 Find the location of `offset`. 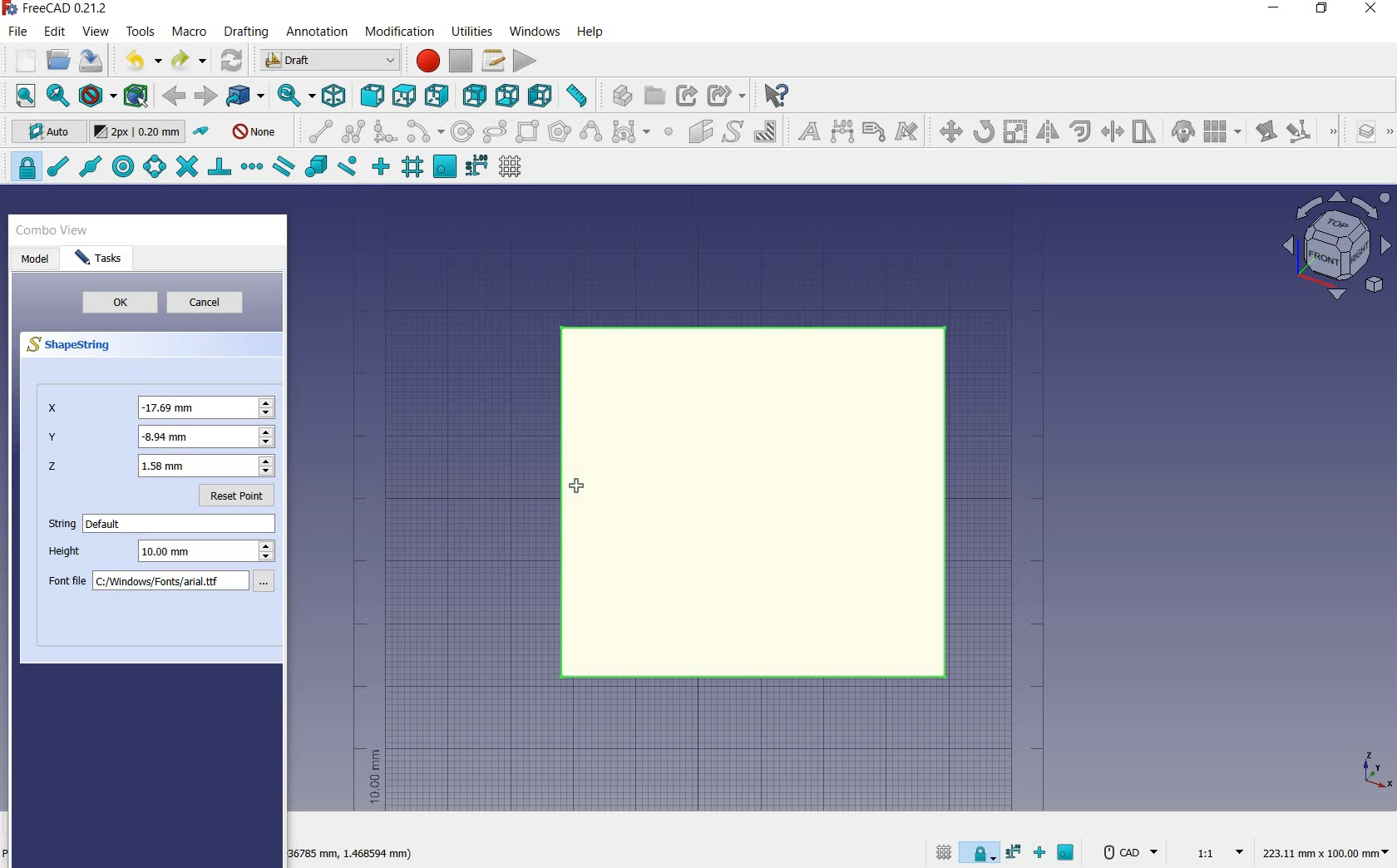

offset is located at coordinates (1081, 131).